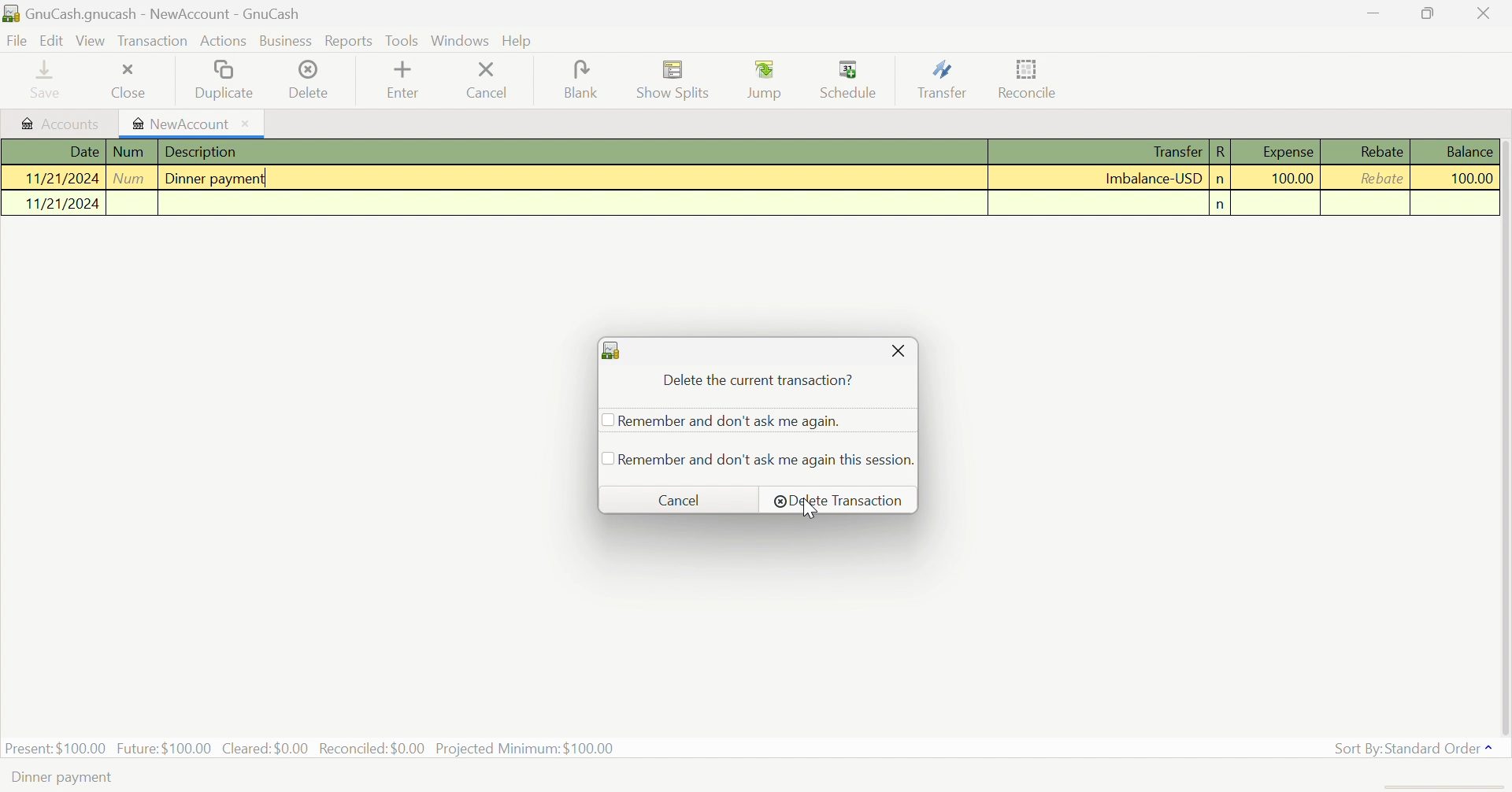 The height and width of the screenshot is (792, 1512). Describe the element at coordinates (1471, 179) in the screenshot. I see `100.00` at that location.